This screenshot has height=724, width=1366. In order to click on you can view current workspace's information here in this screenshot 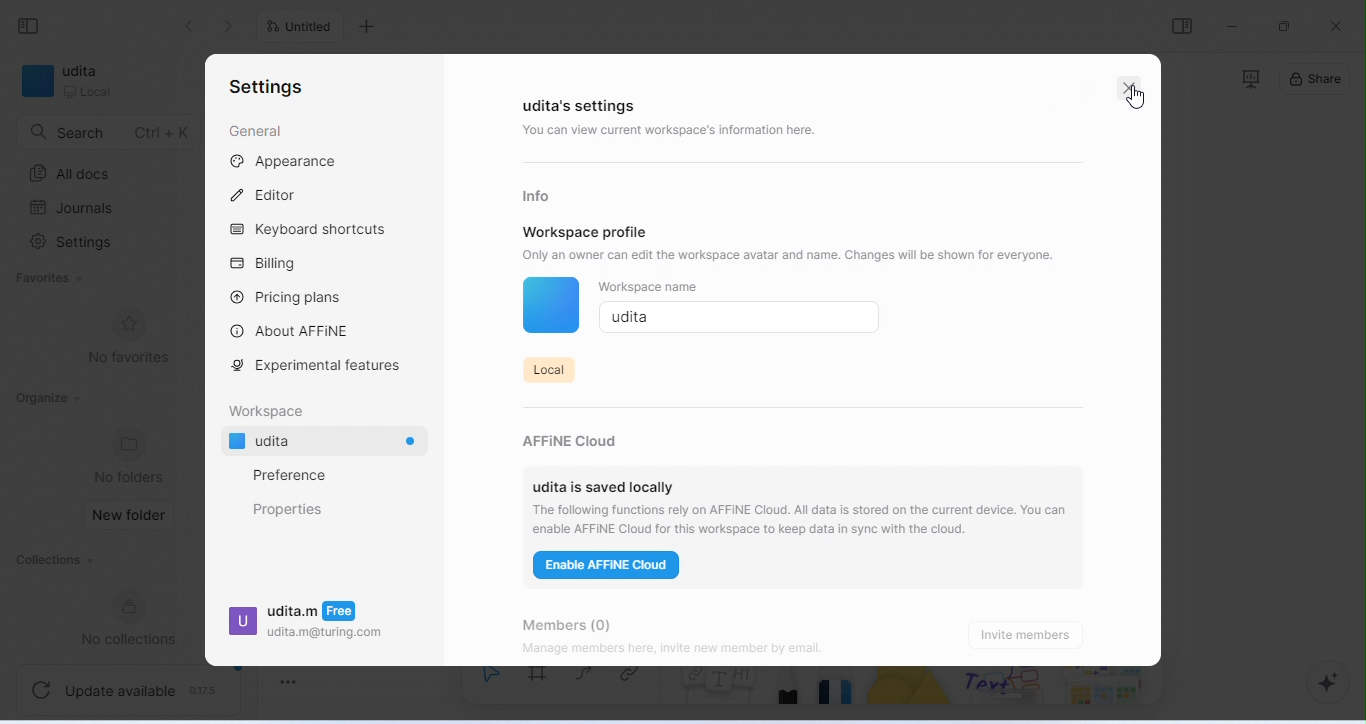, I will do `click(674, 132)`.